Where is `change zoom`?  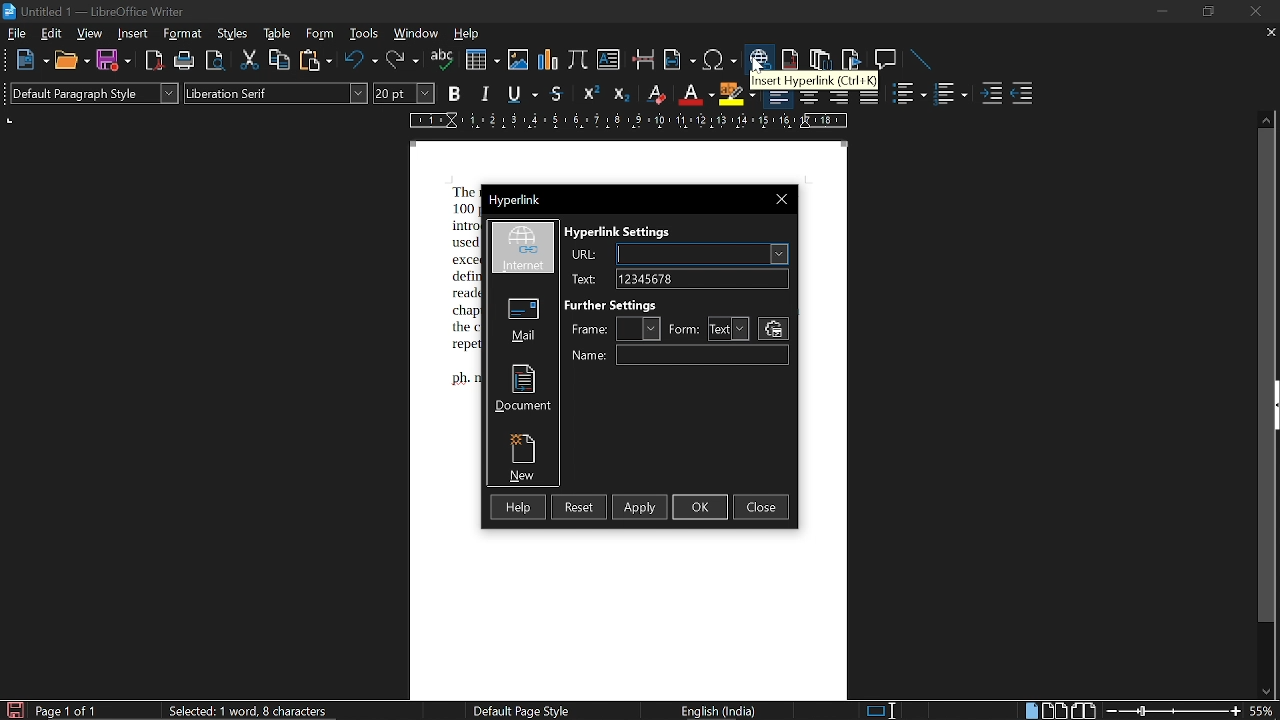 change zoom is located at coordinates (1174, 712).